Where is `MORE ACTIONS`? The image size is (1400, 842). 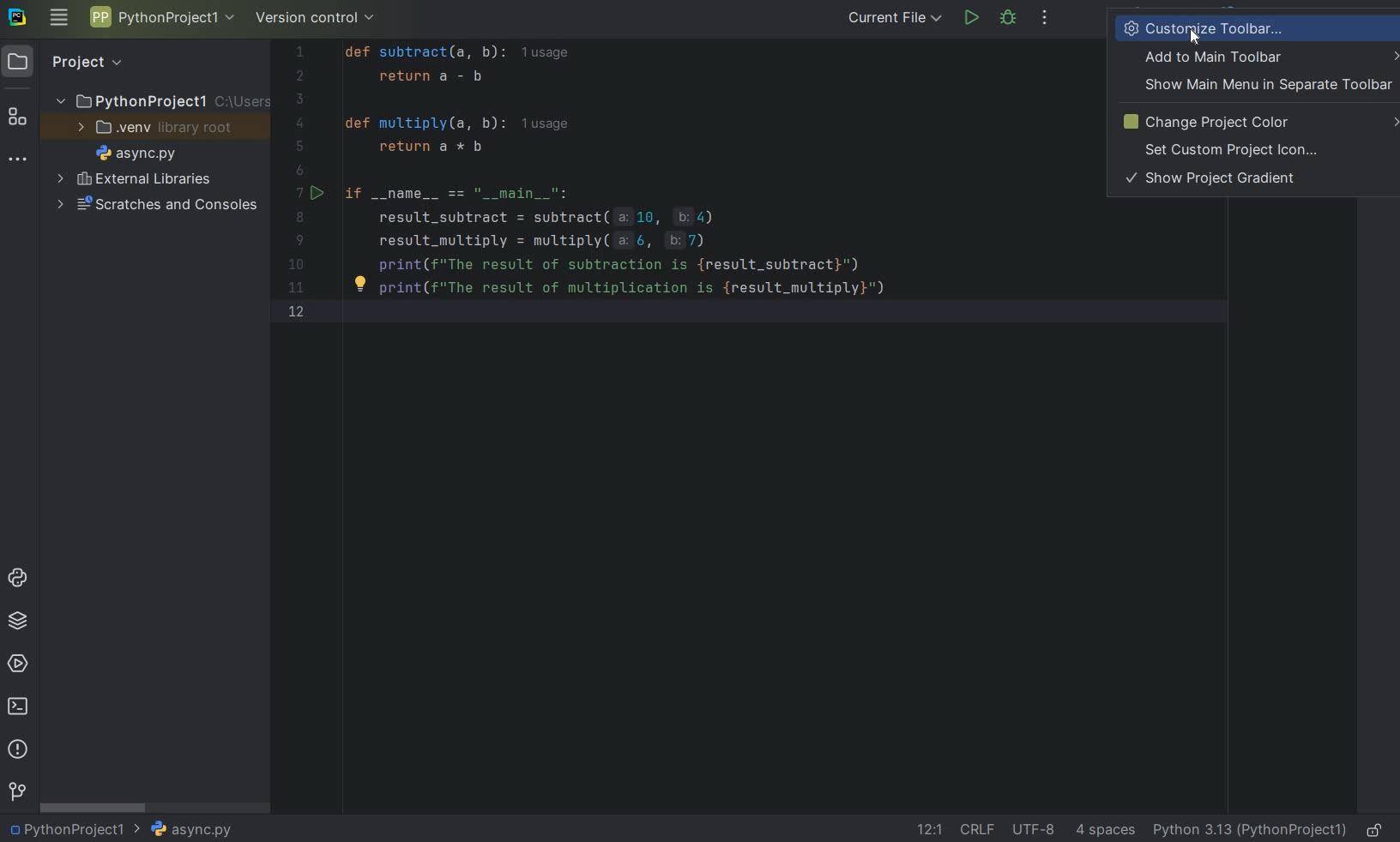
MORE ACTIONS is located at coordinates (1046, 18).